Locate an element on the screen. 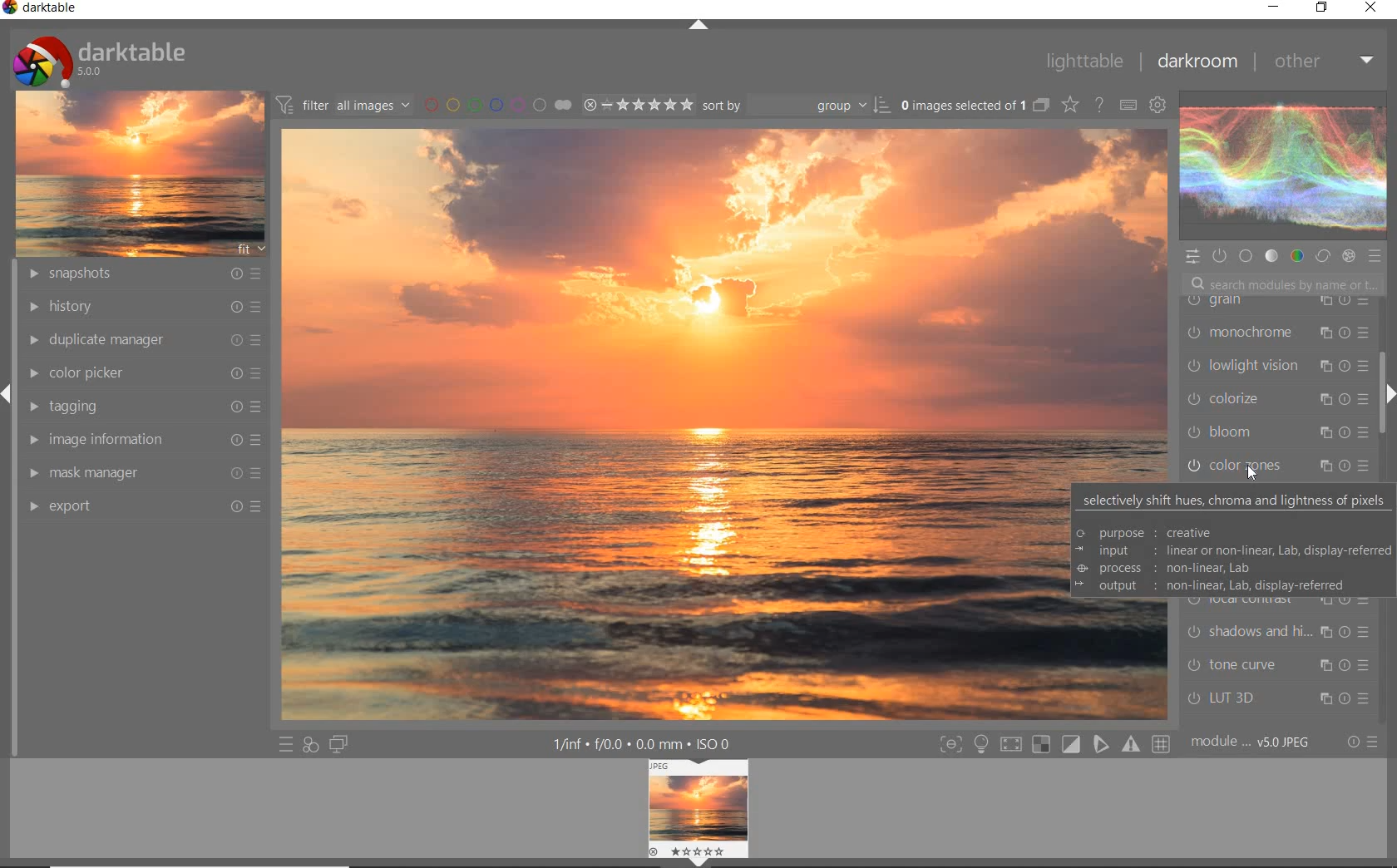  minimize is located at coordinates (1276, 6).